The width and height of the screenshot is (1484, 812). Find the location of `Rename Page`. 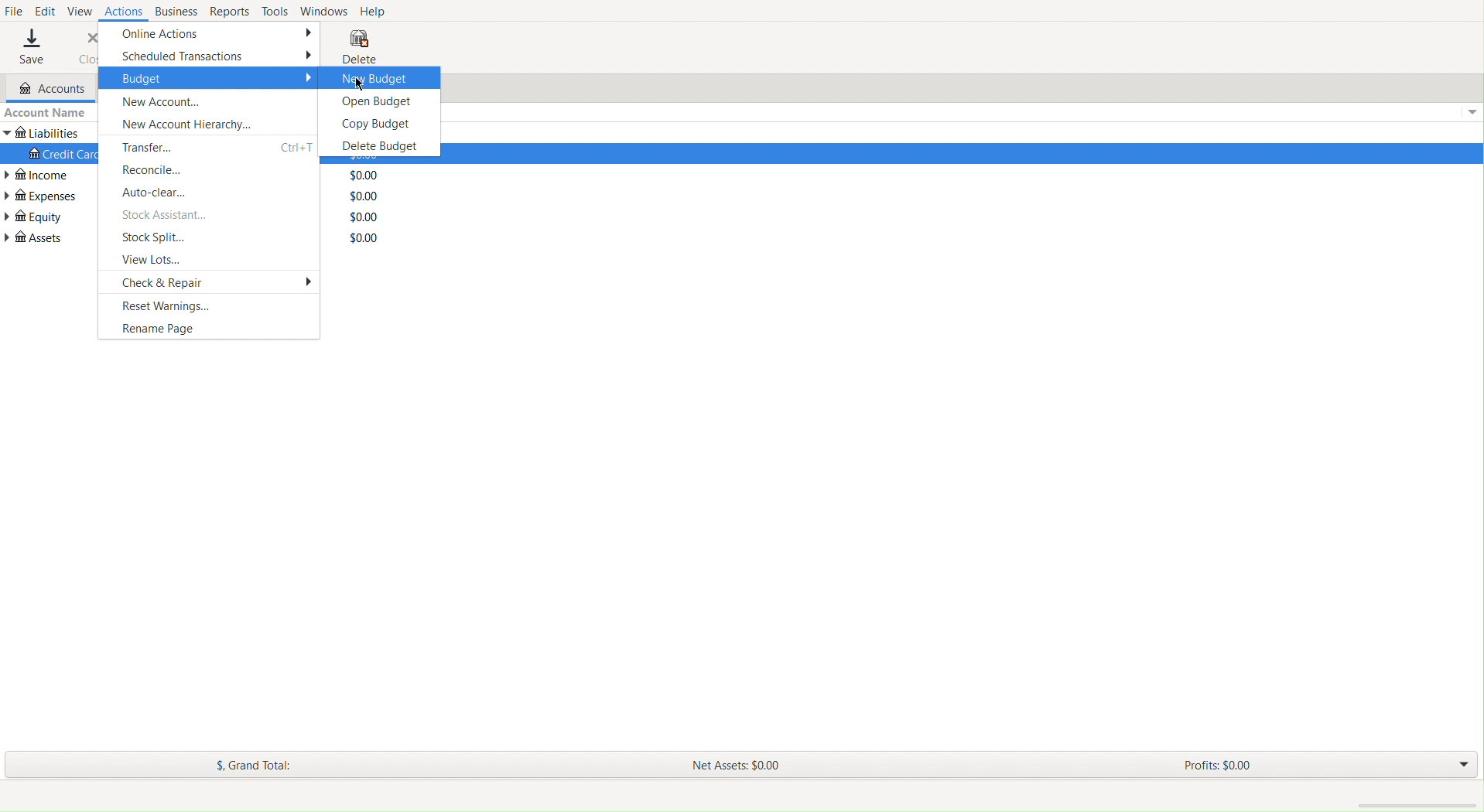

Rename Page is located at coordinates (156, 329).